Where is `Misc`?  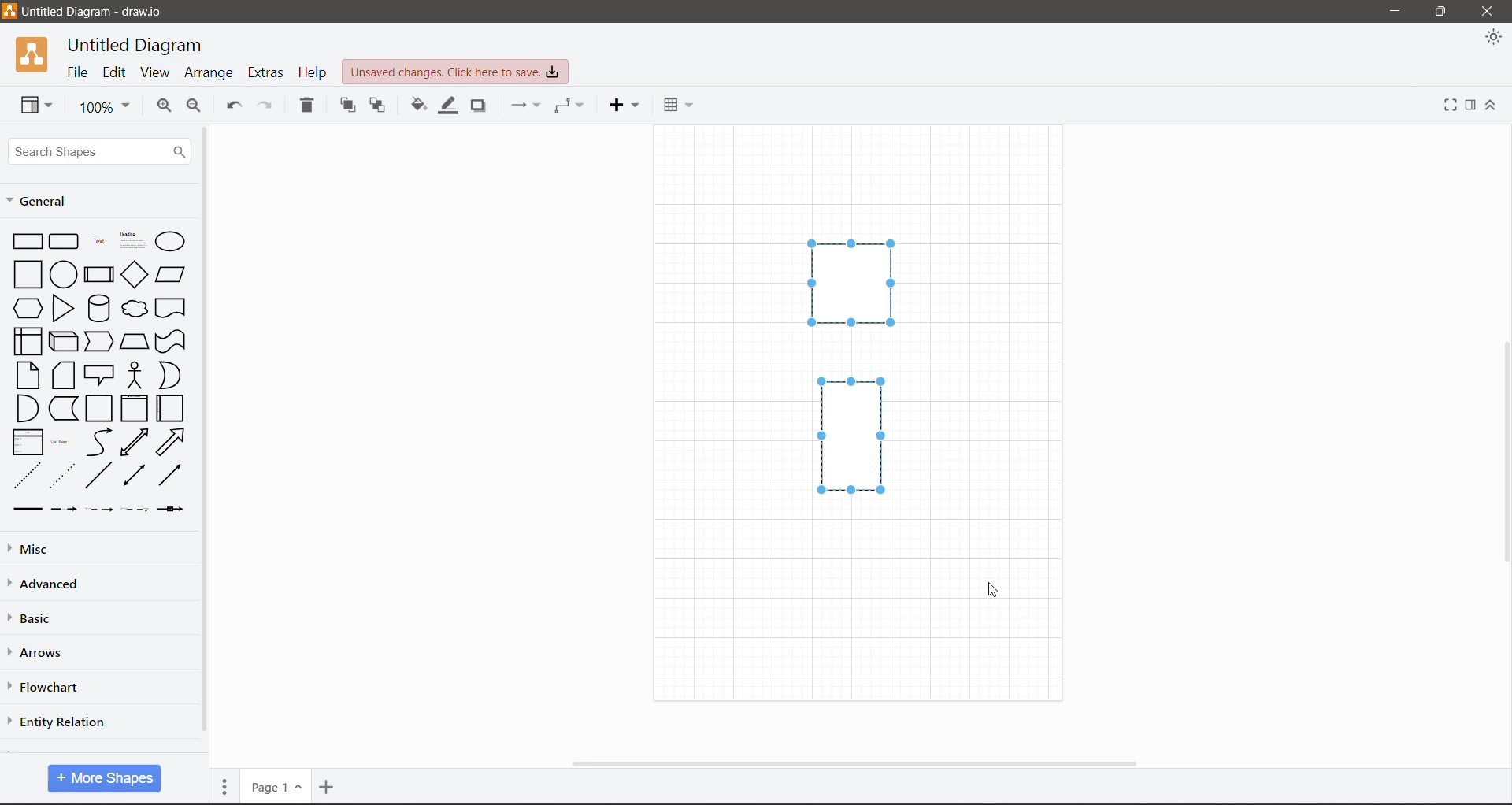
Misc is located at coordinates (34, 551).